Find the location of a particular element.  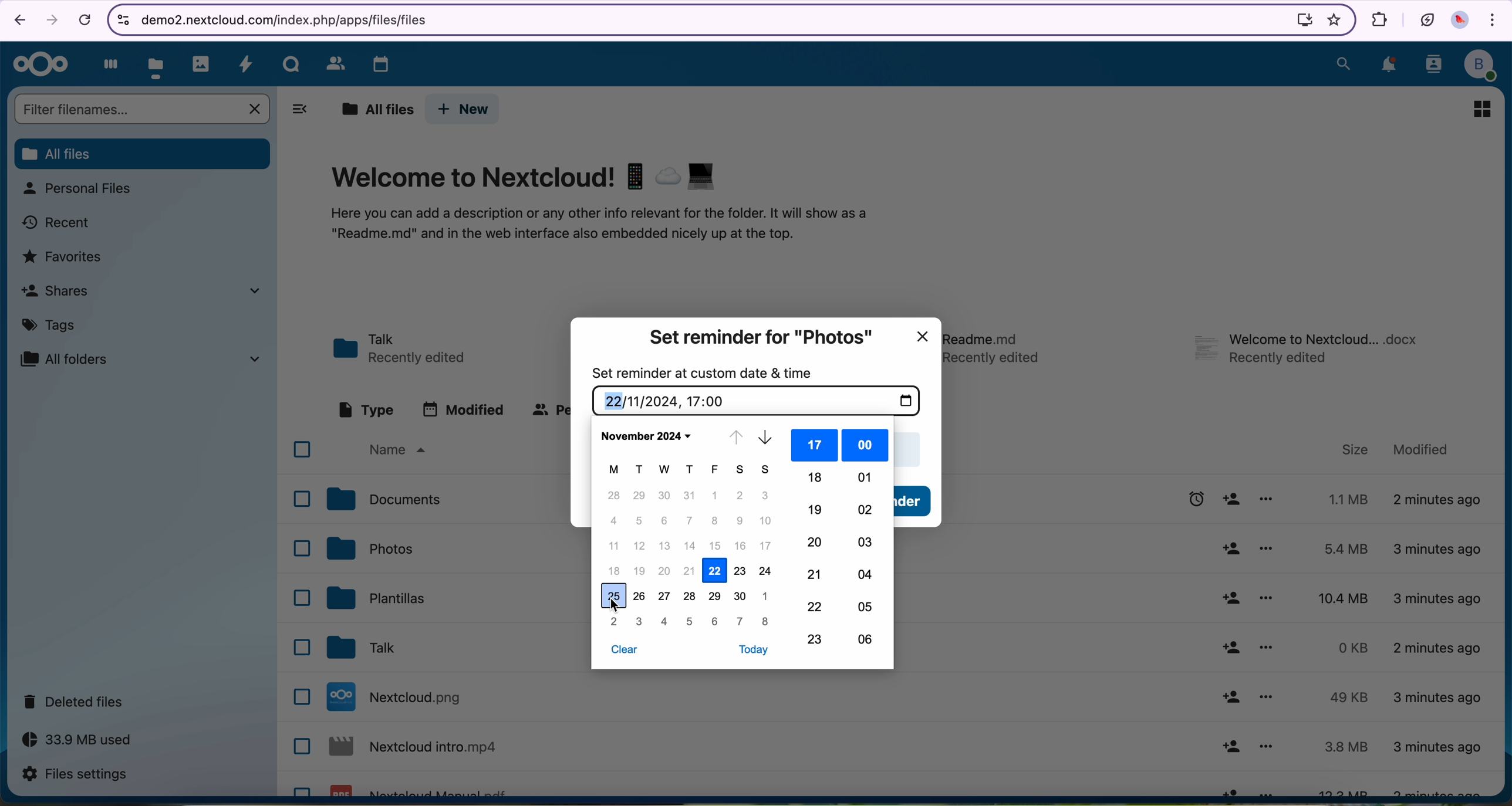

6 is located at coordinates (716, 622).